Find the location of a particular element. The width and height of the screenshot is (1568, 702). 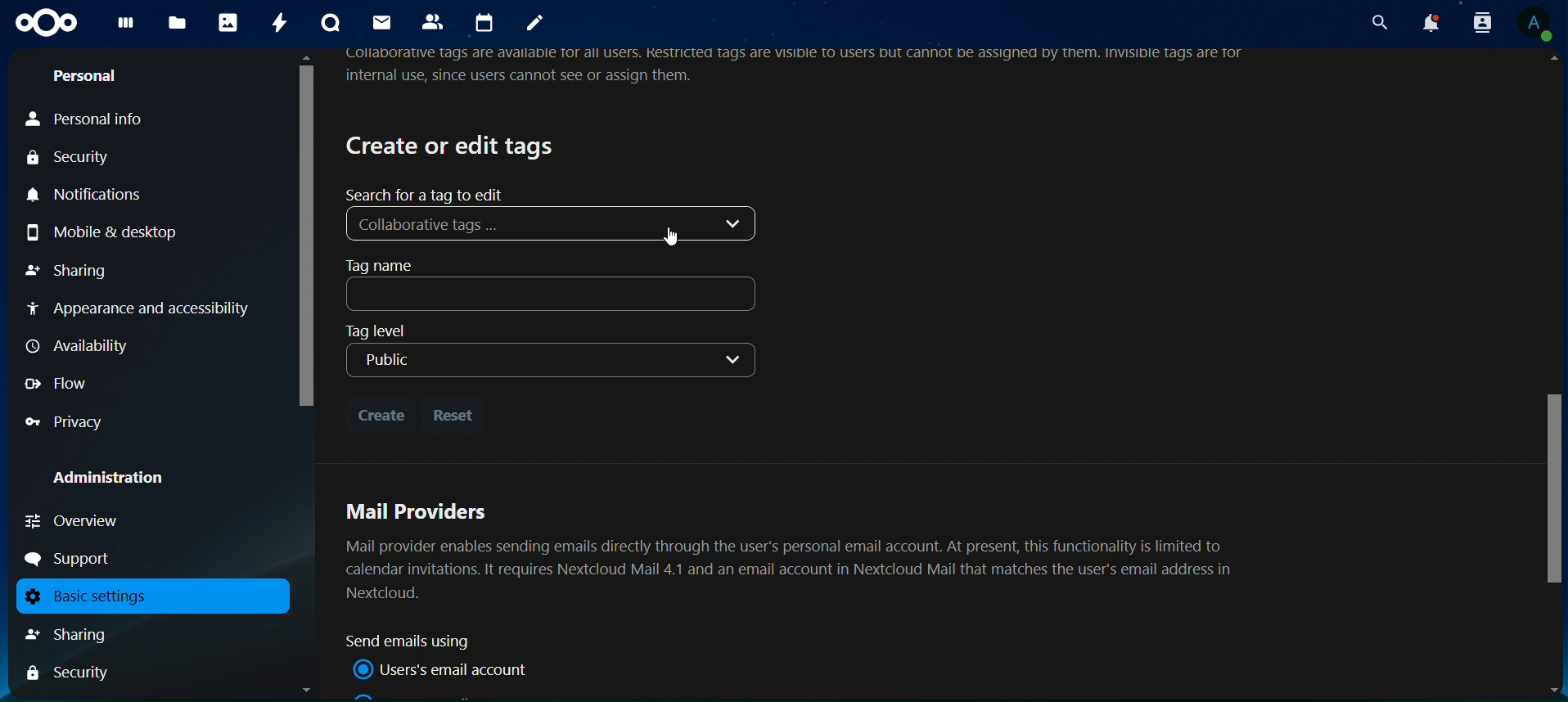

files is located at coordinates (177, 24).